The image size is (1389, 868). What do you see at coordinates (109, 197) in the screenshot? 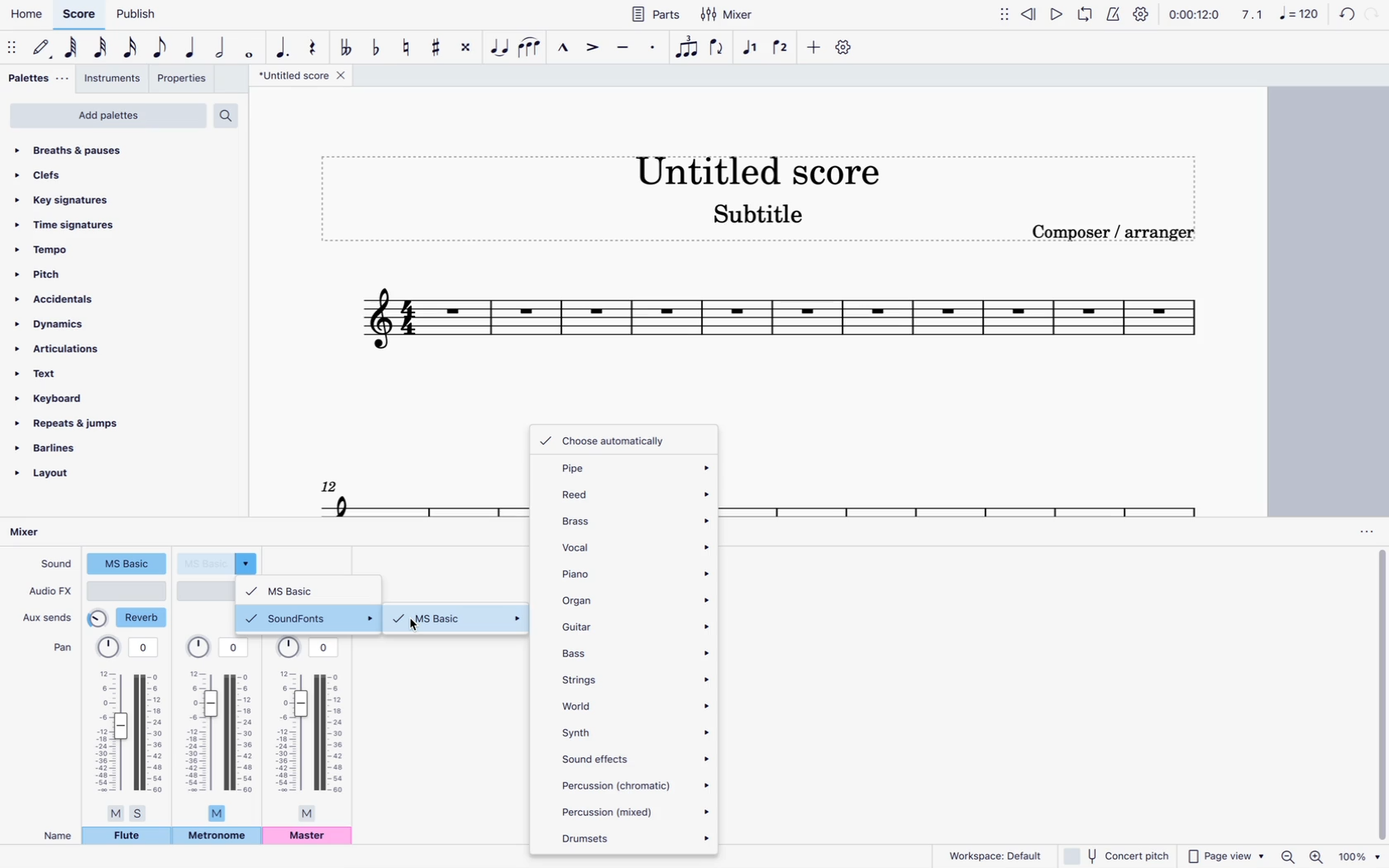
I see `key signatures` at bounding box center [109, 197].